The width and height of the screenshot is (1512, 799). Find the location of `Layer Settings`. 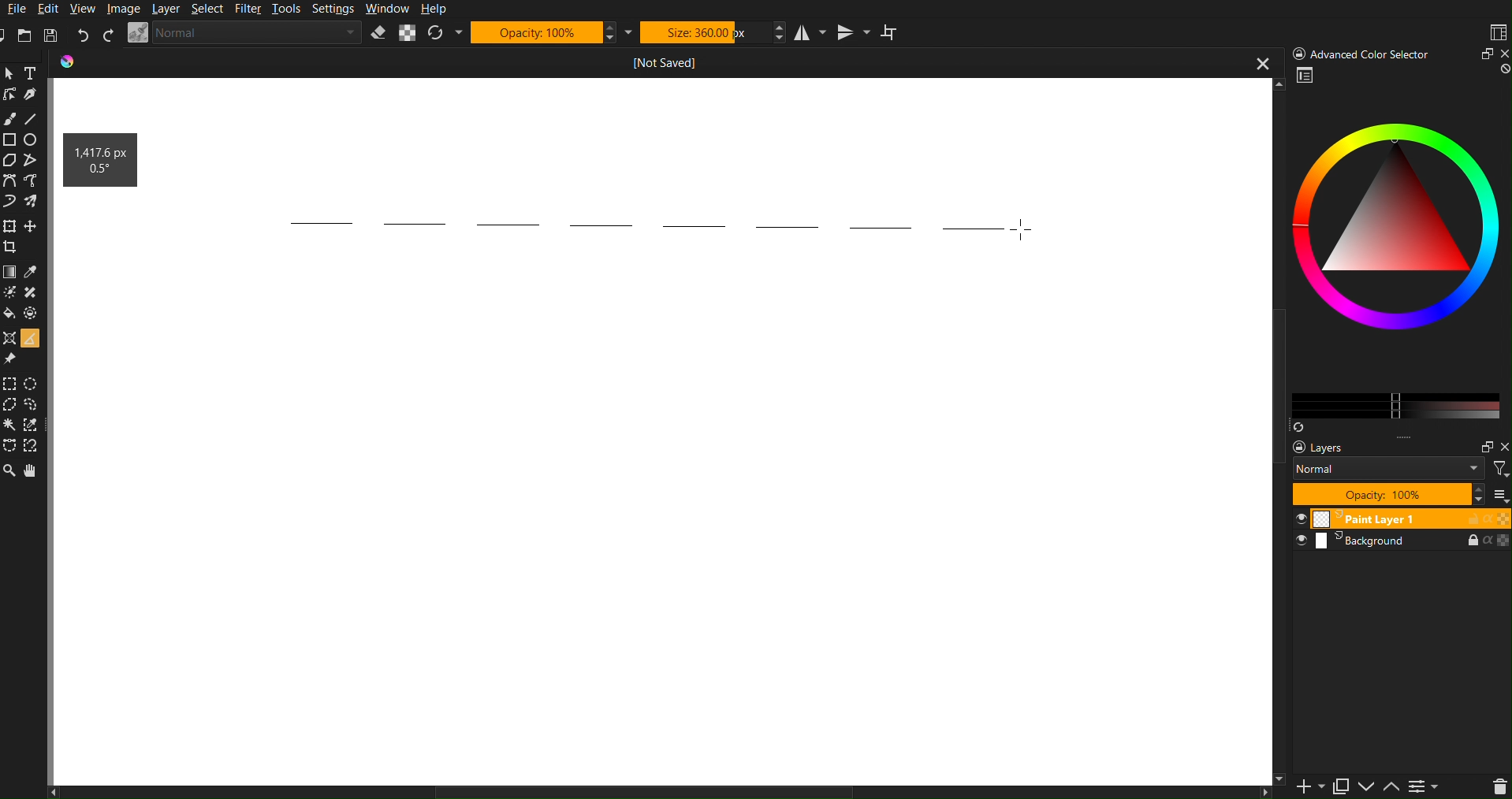

Layer Settings is located at coordinates (1393, 471).